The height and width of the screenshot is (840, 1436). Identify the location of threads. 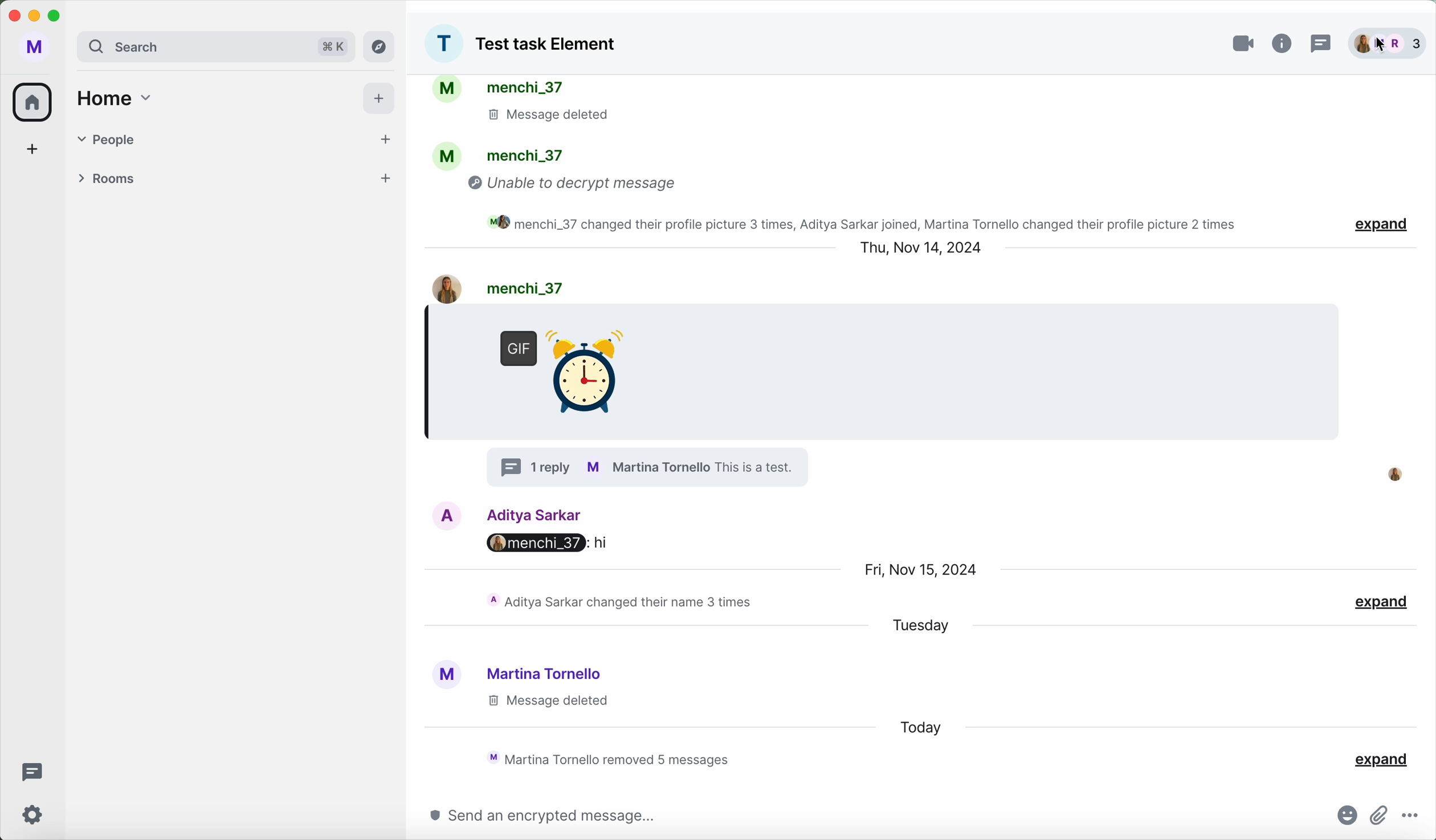
(1321, 43).